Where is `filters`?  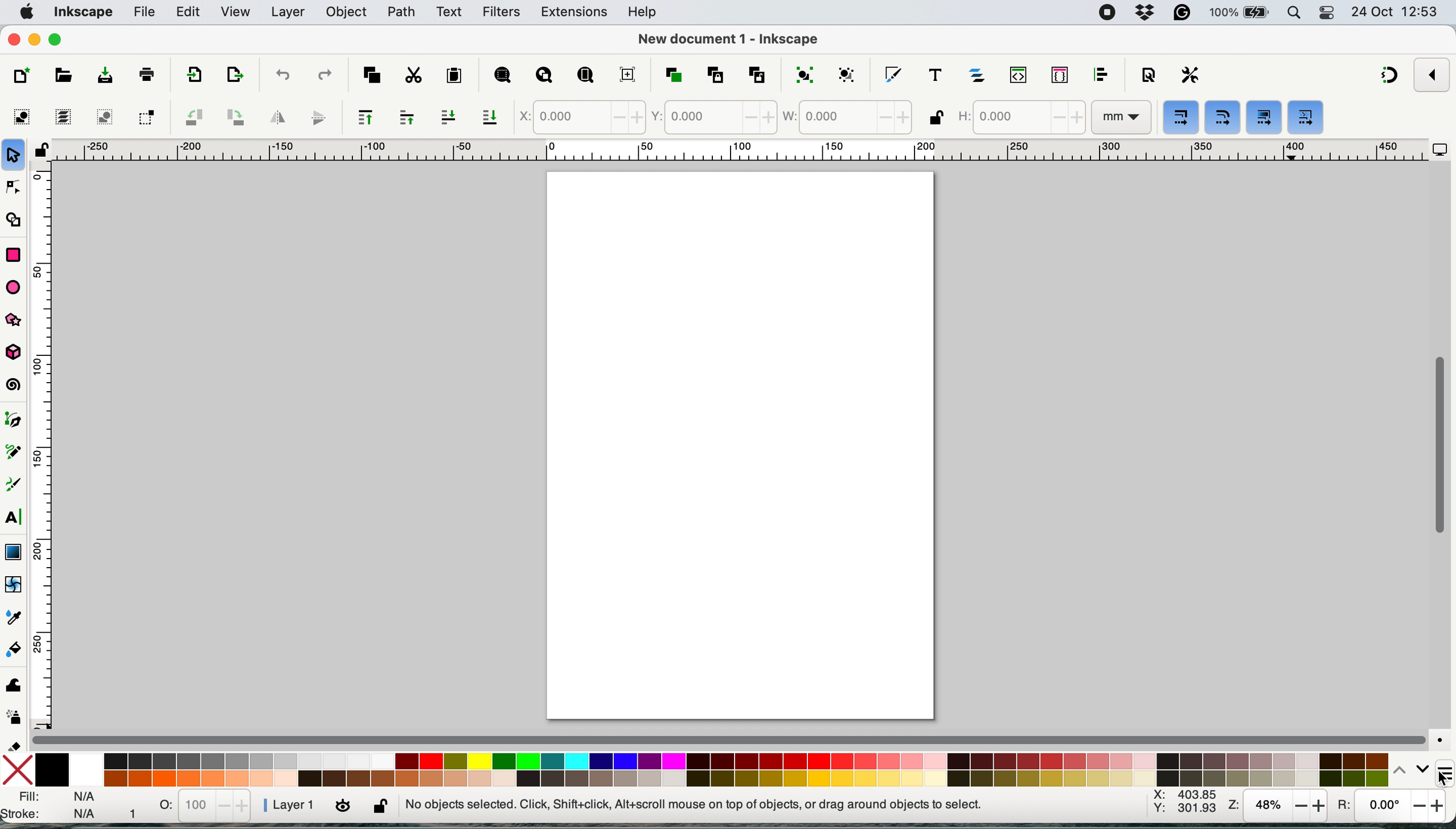
filters is located at coordinates (503, 14).